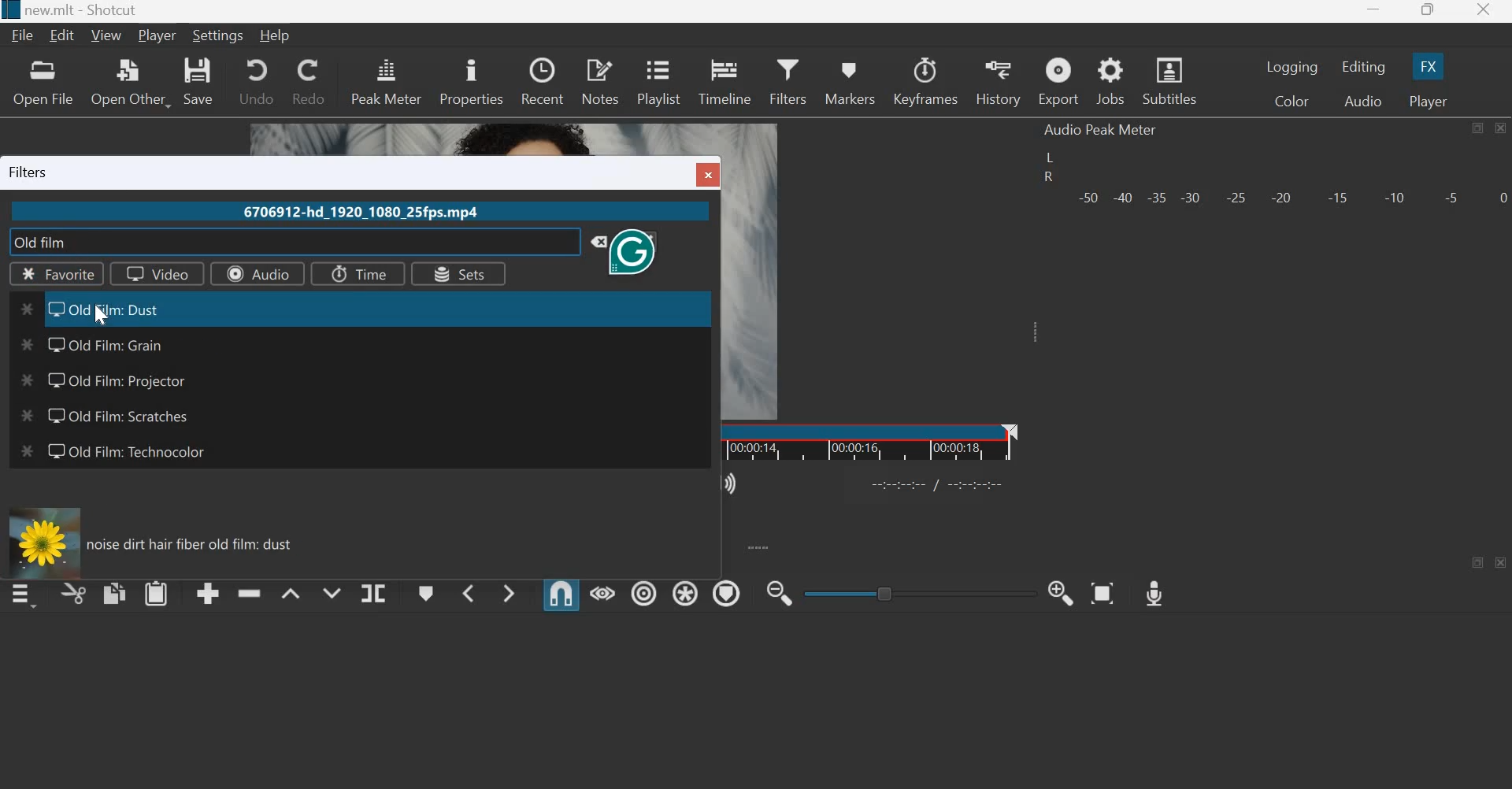 The width and height of the screenshot is (1512, 789). I want to click on properties, so click(471, 80).